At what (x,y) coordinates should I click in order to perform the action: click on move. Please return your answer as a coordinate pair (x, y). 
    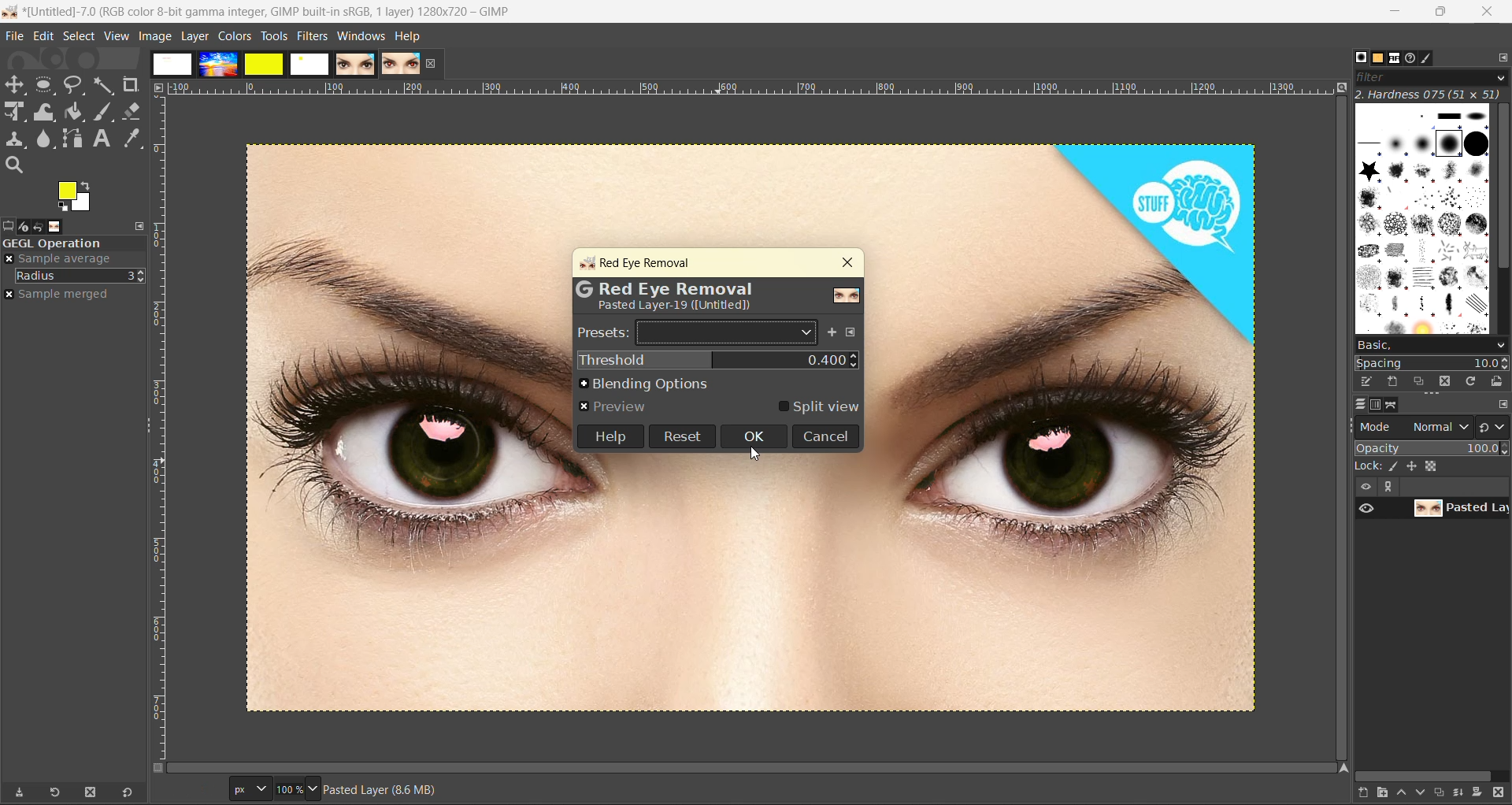
    Looking at the image, I should click on (72, 269).